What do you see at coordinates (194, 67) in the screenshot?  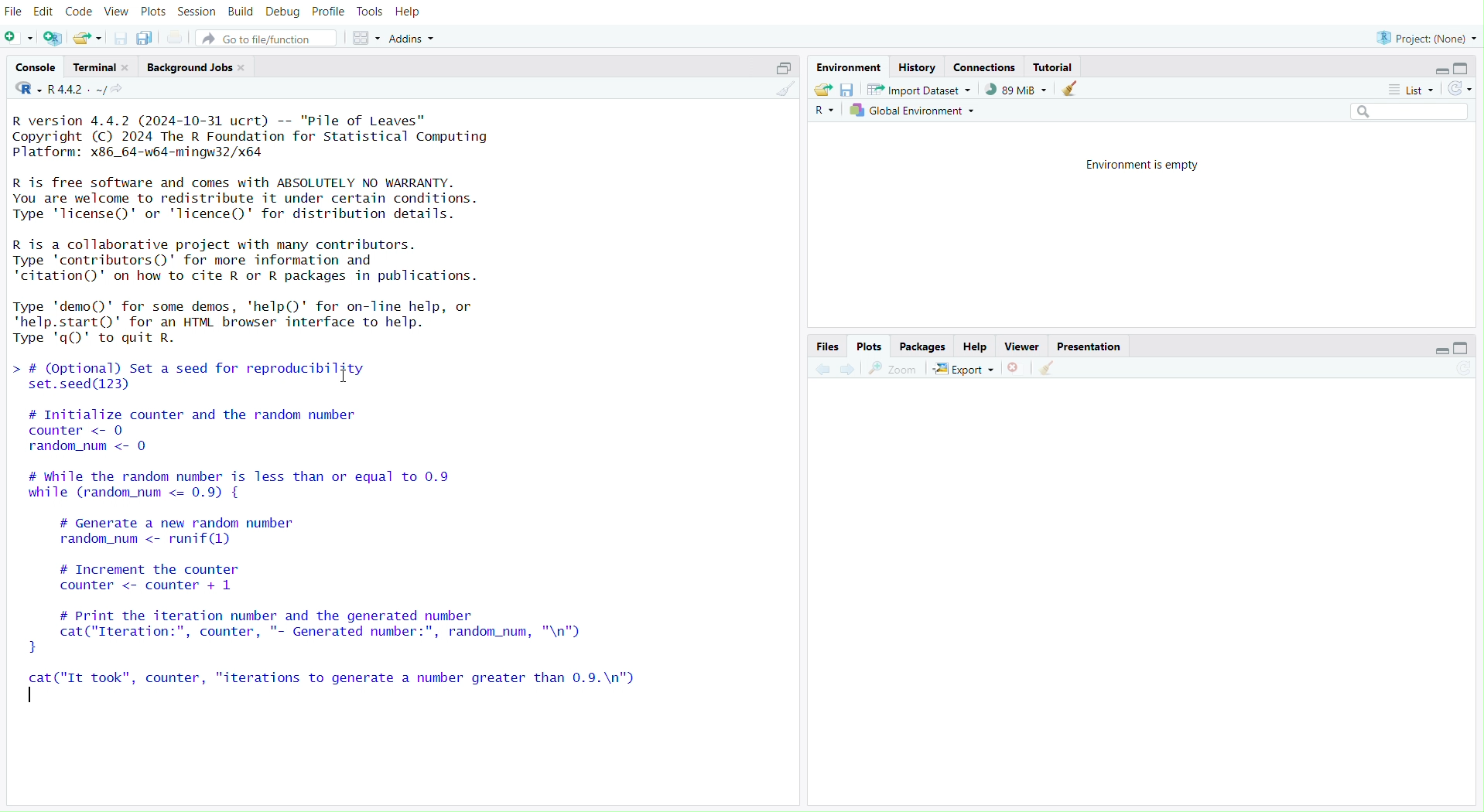 I see `Background Jobs` at bounding box center [194, 67].